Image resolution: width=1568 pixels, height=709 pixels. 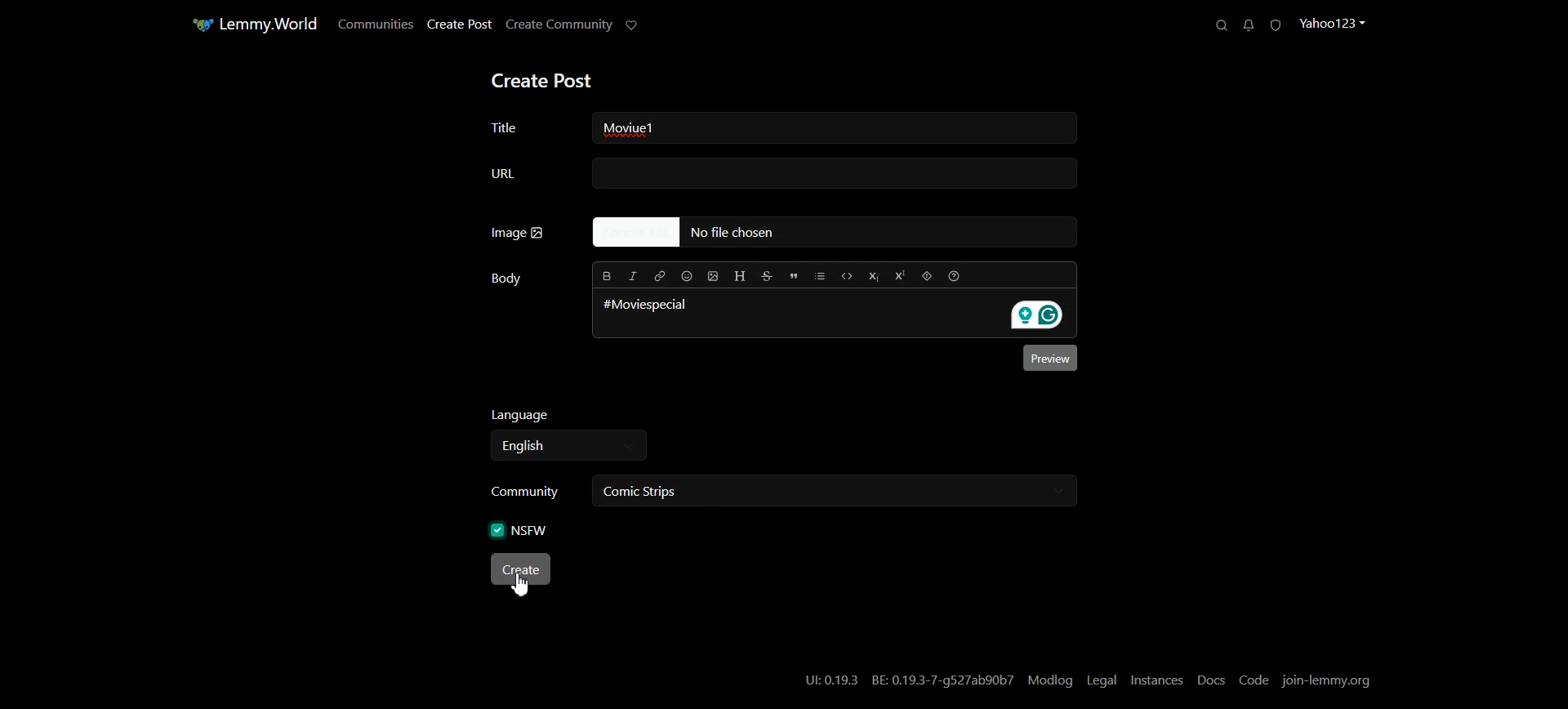 What do you see at coordinates (795, 274) in the screenshot?
I see `Quote` at bounding box center [795, 274].